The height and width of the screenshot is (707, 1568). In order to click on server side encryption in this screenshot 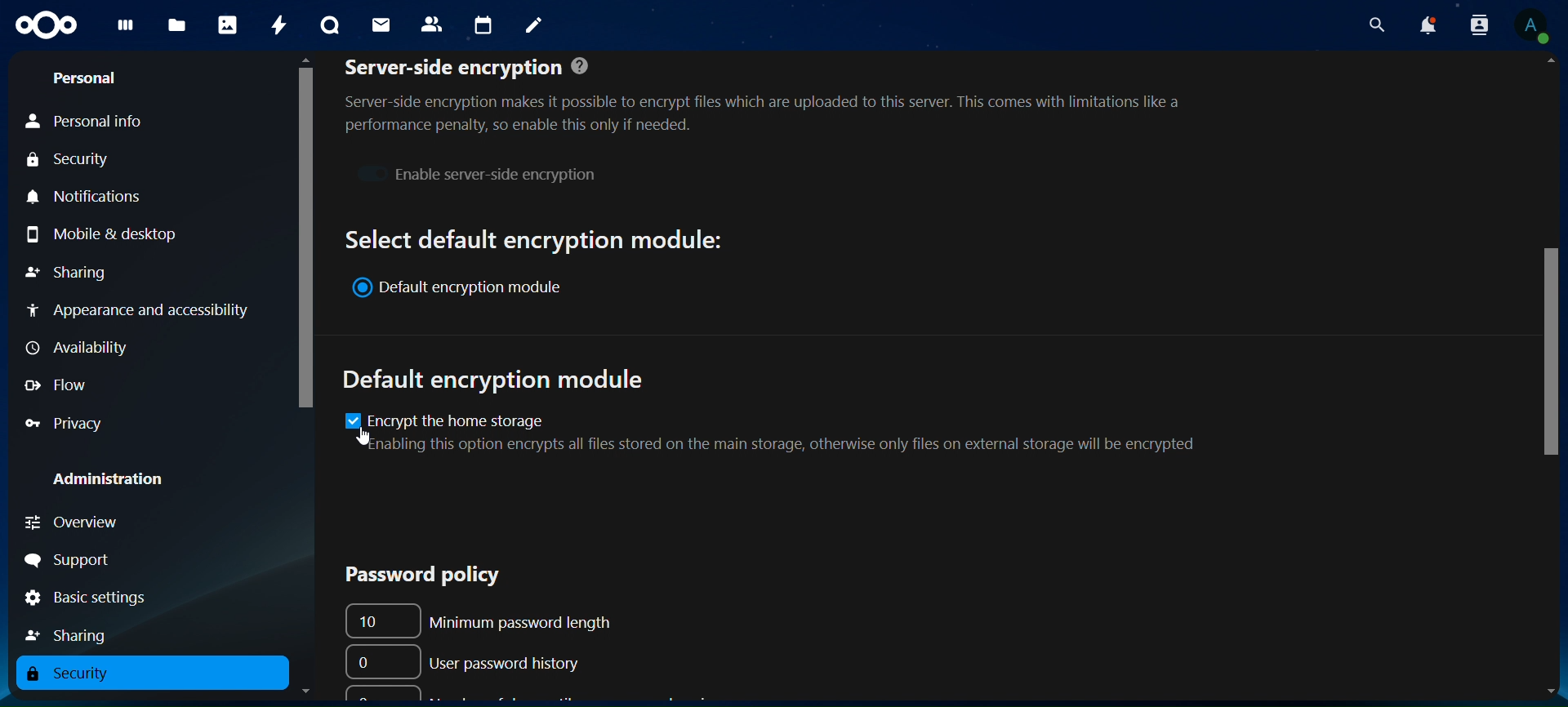, I will do `click(778, 95)`.